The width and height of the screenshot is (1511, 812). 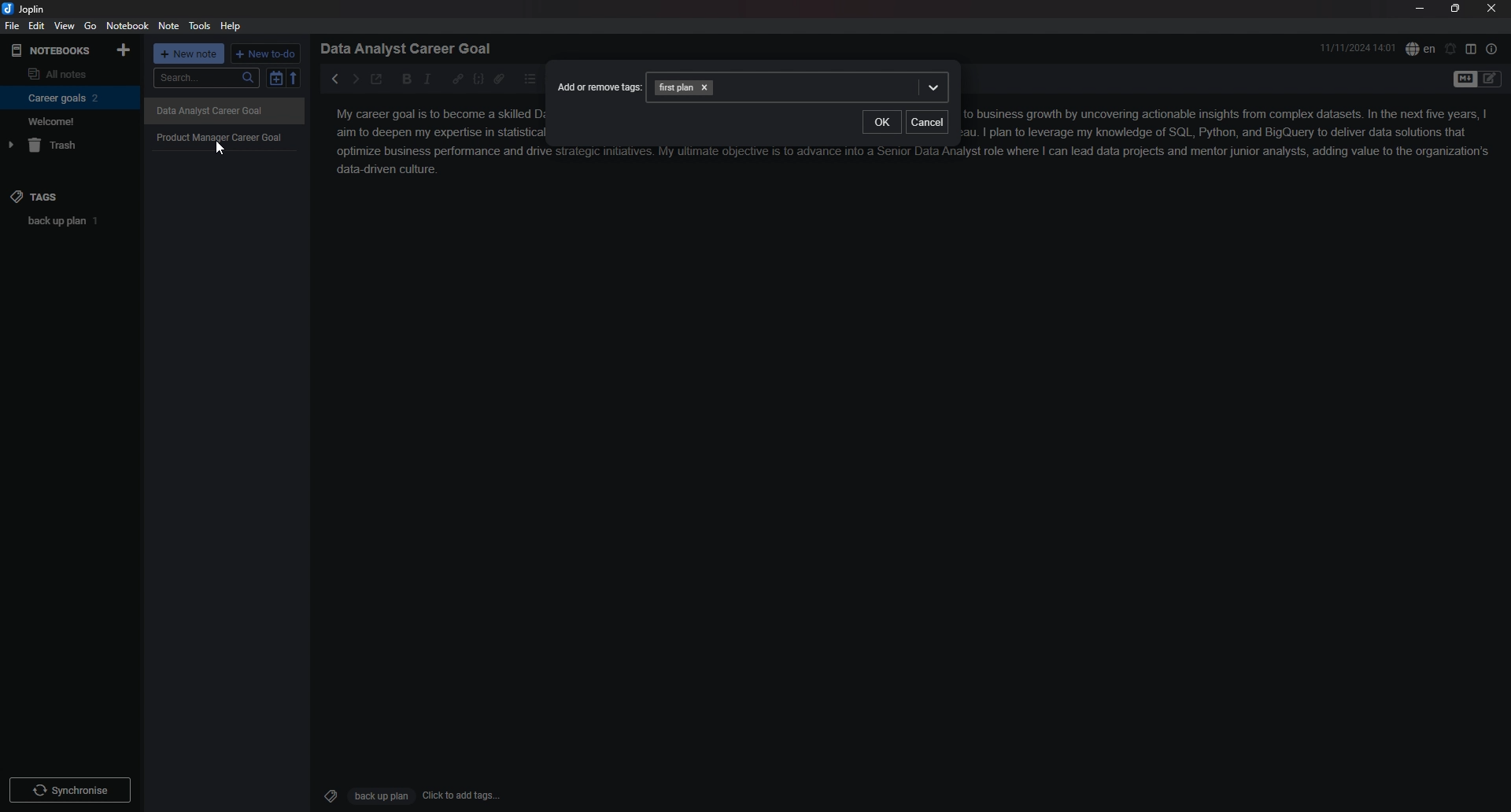 What do you see at coordinates (380, 796) in the screenshot?
I see `Back up plan` at bounding box center [380, 796].